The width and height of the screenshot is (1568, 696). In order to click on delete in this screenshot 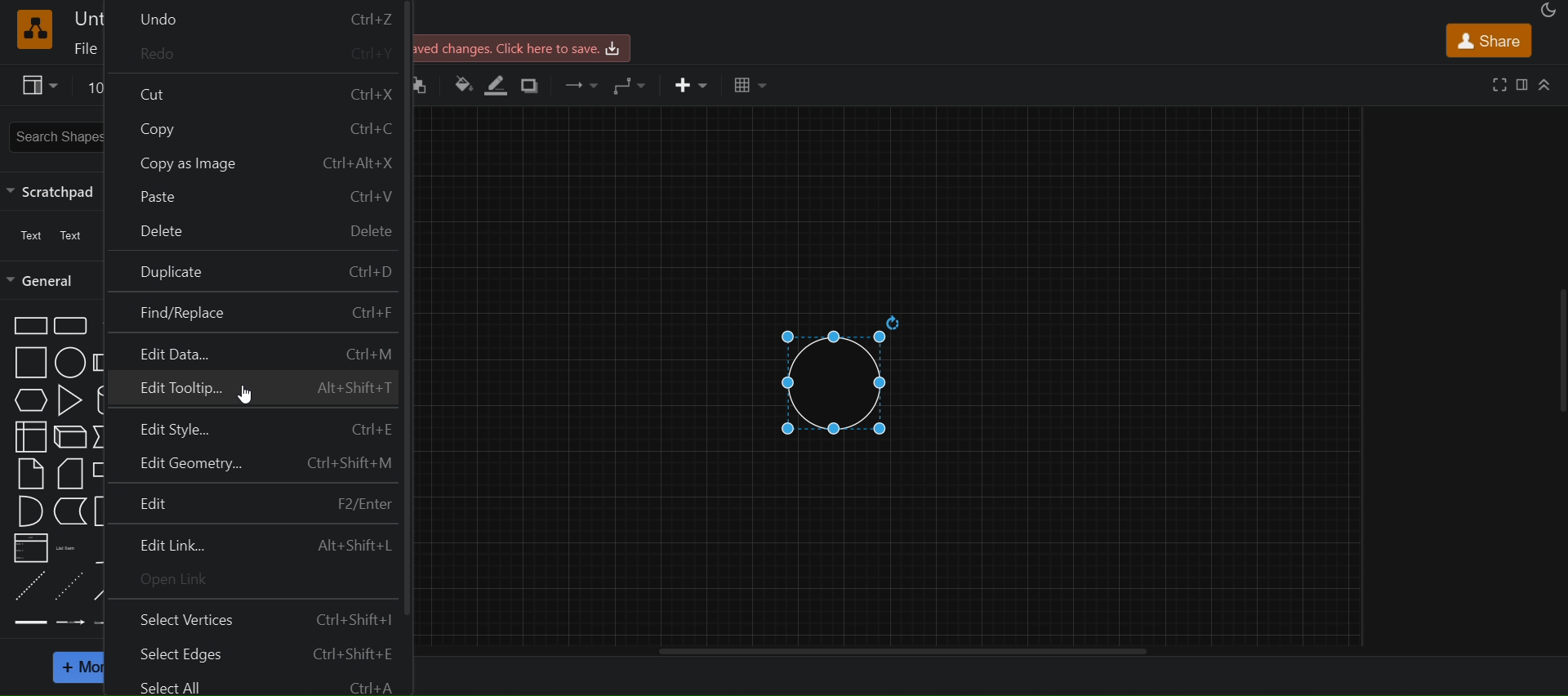, I will do `click(256, 233)`.